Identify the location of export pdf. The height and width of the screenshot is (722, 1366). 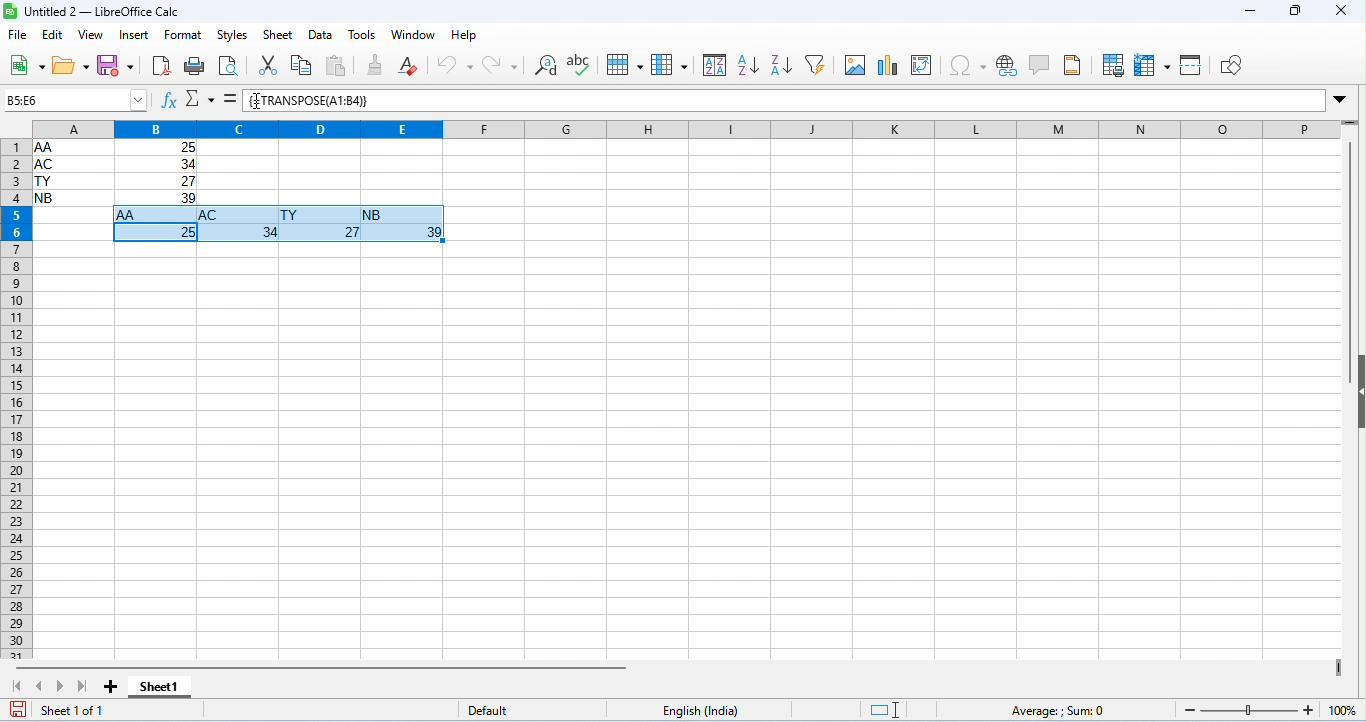
(161, 66).